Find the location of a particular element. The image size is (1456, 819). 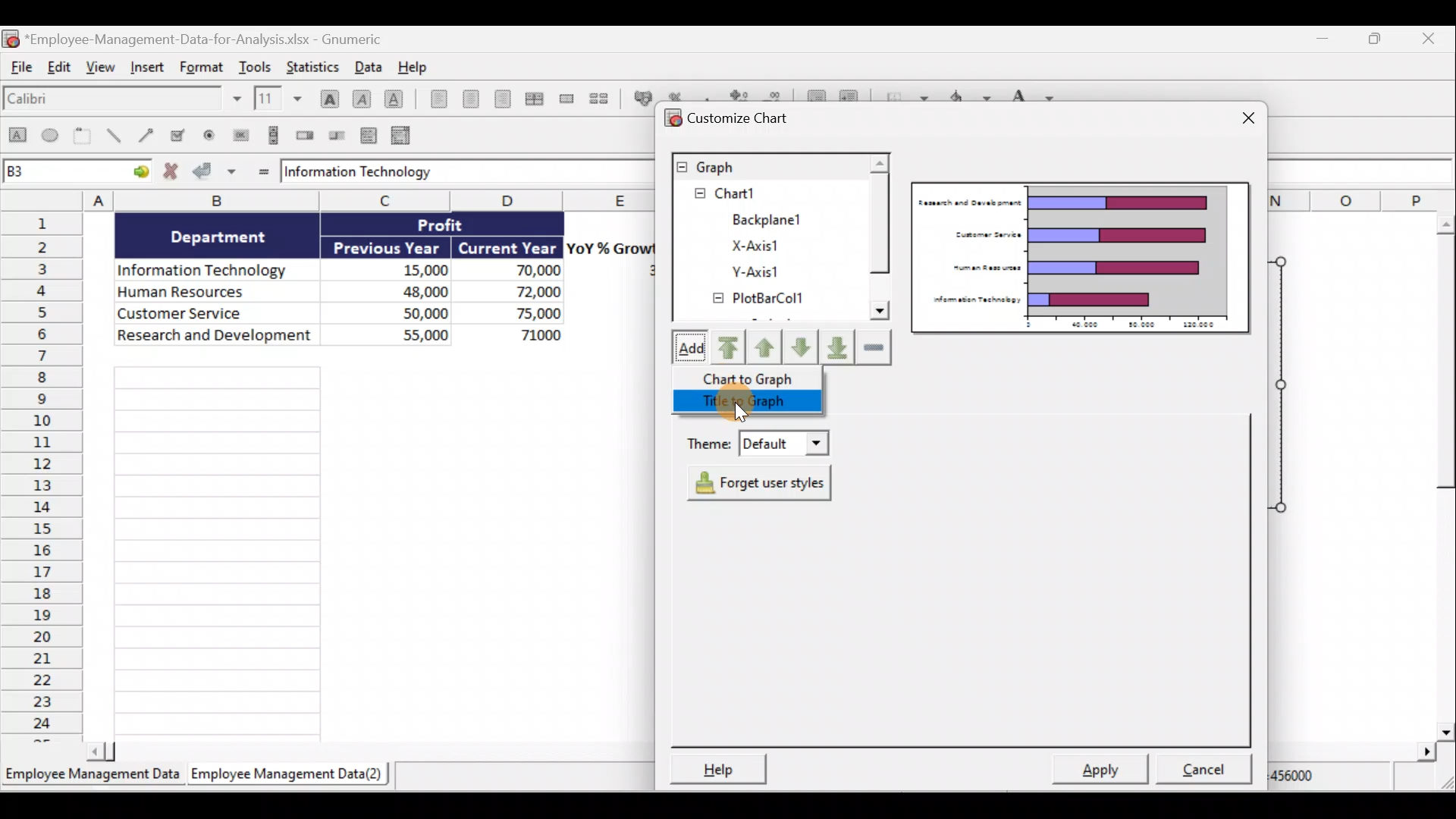

Create a scrollbar is located at coordinates (275, 134).